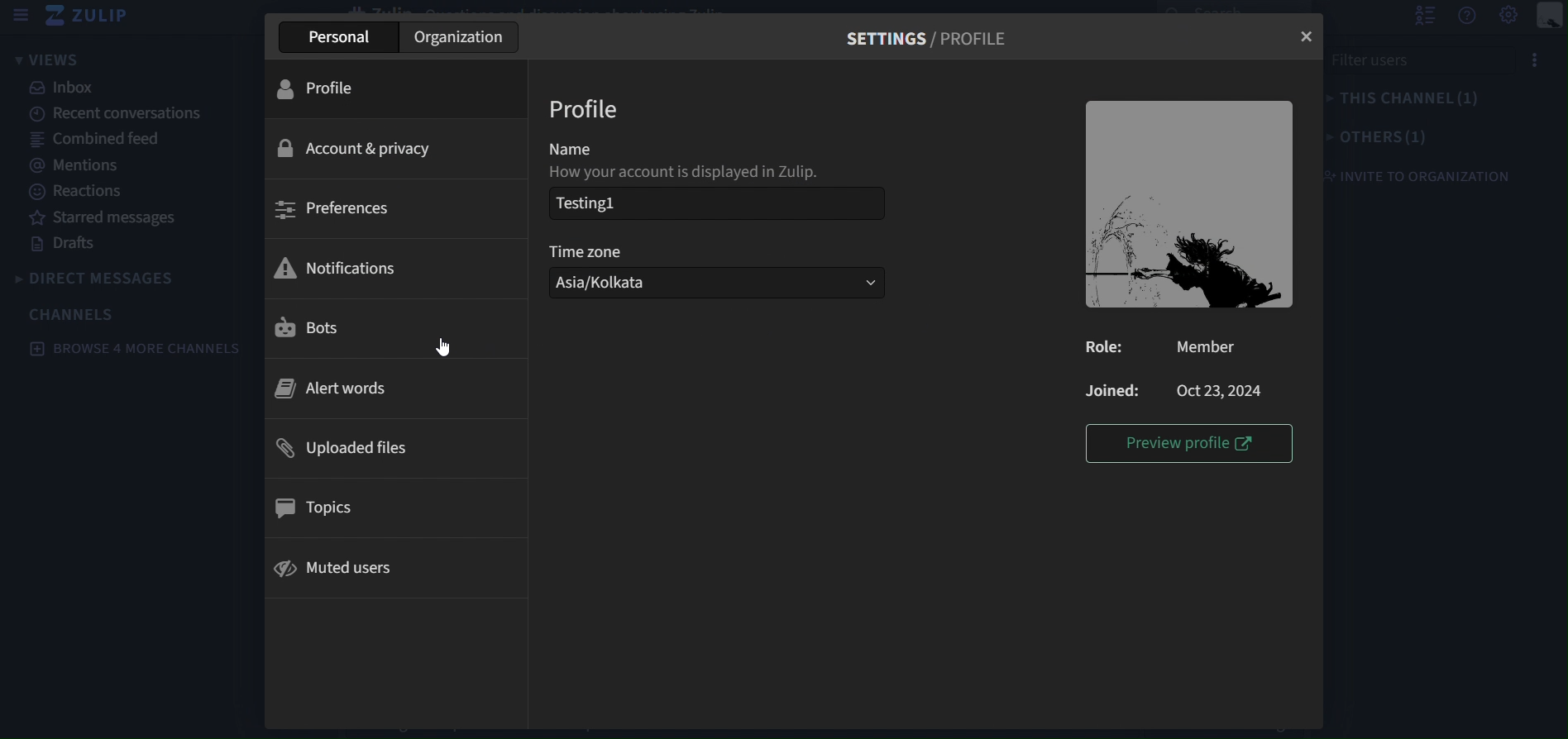 The image size is (1568, 739). I want to click on organization, so click(461, 41).